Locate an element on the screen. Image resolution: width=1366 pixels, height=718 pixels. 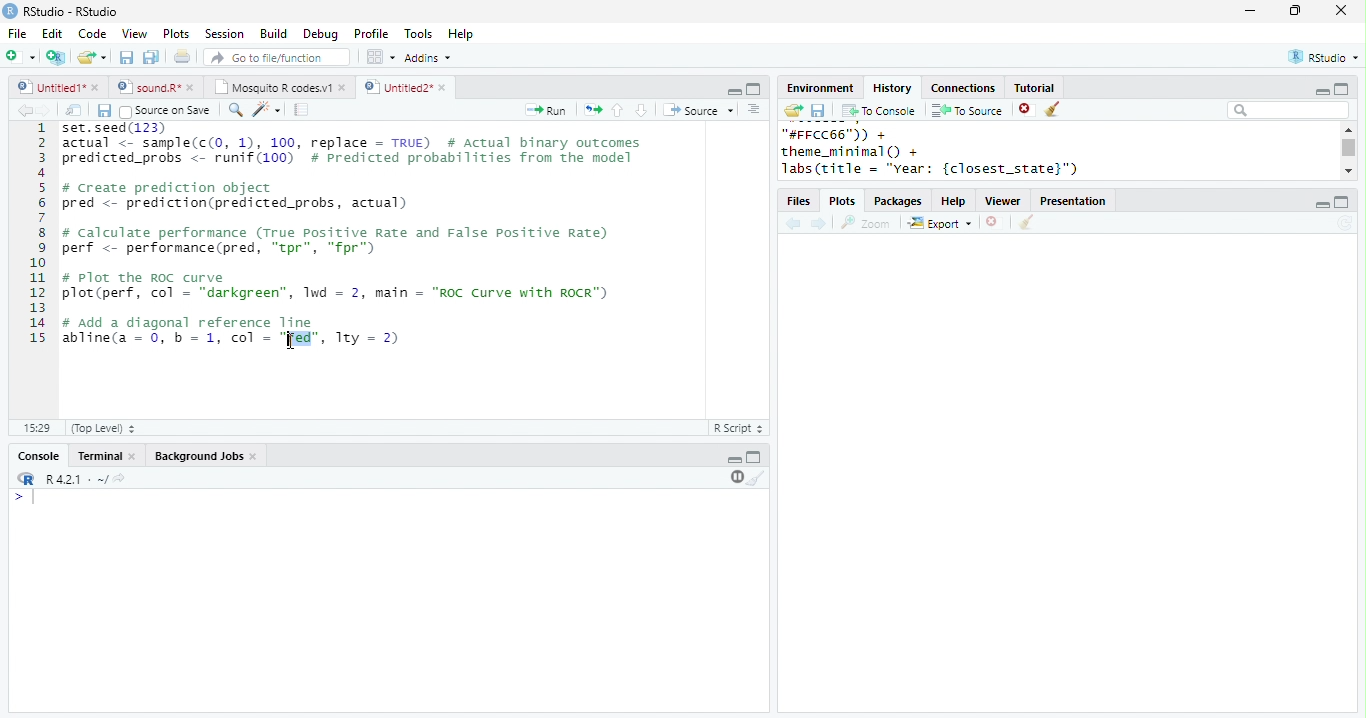
Presentation is located at coordinates (1073, 201).